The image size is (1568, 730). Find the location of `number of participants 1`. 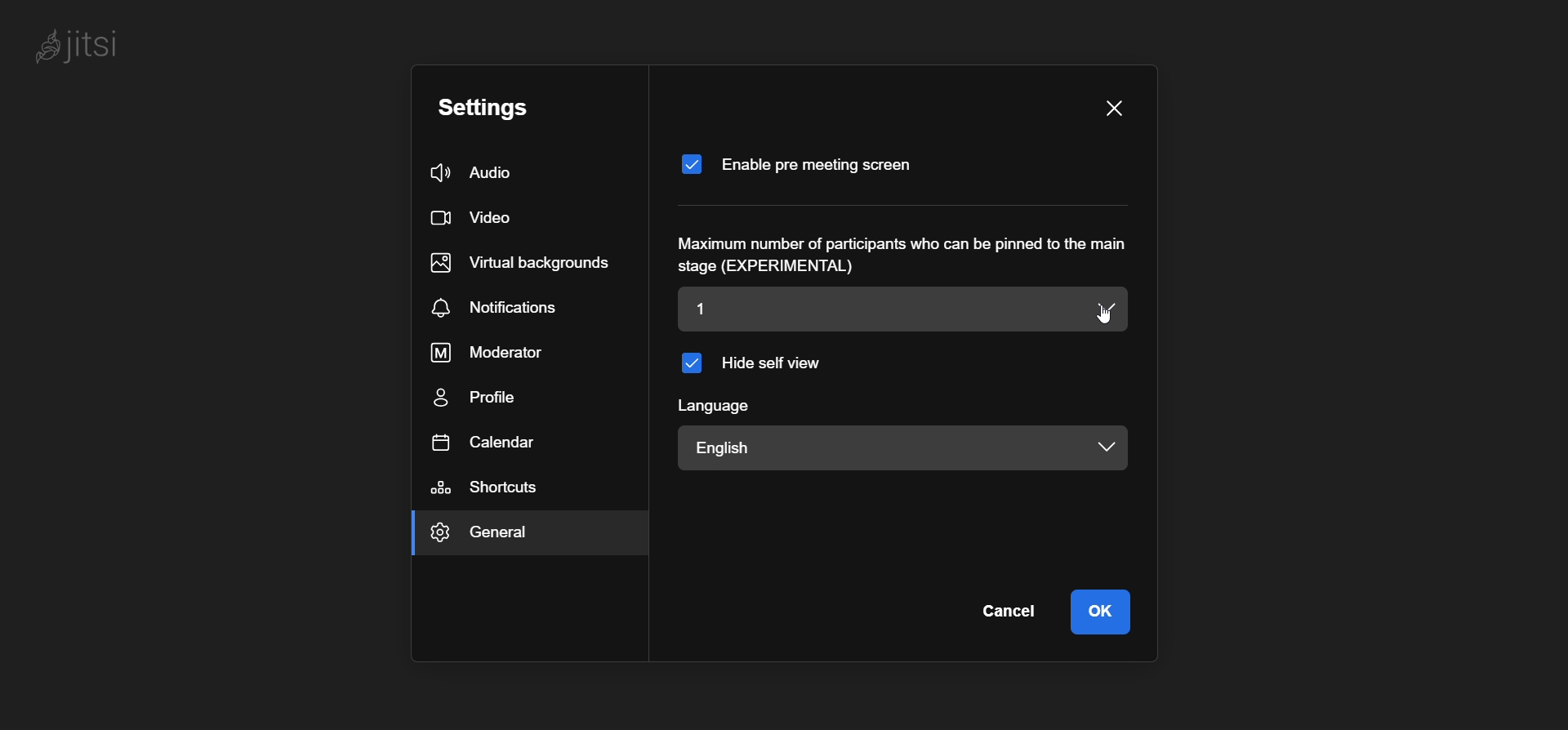

number of participants 1 is located at coordinates (862, 307).